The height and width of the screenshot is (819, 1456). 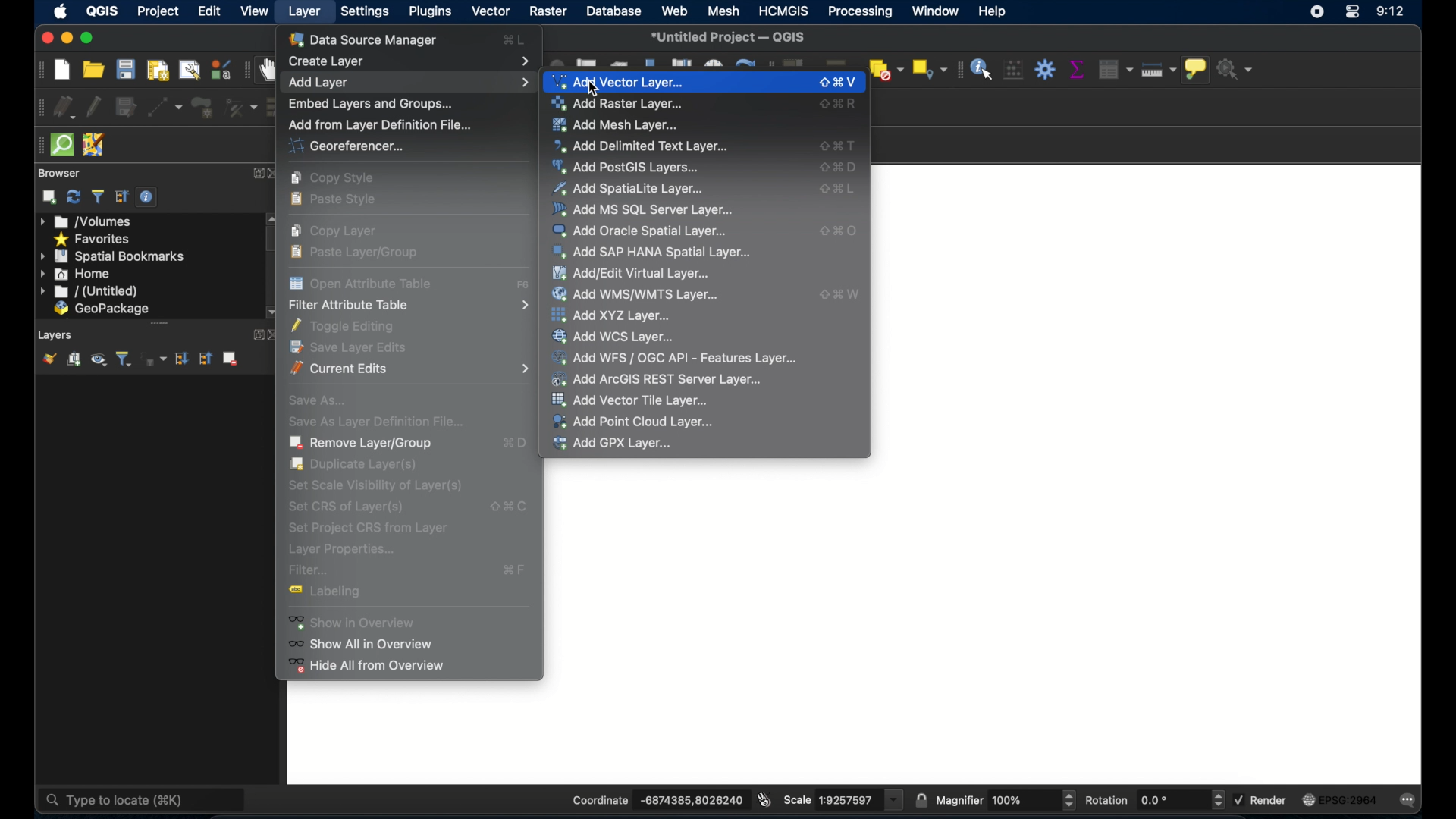 What do you see at coordinates (707, 250) in the screenshot?
I see `Add SAP HANA Spatial Layer...` at bounding box center [707, 250].